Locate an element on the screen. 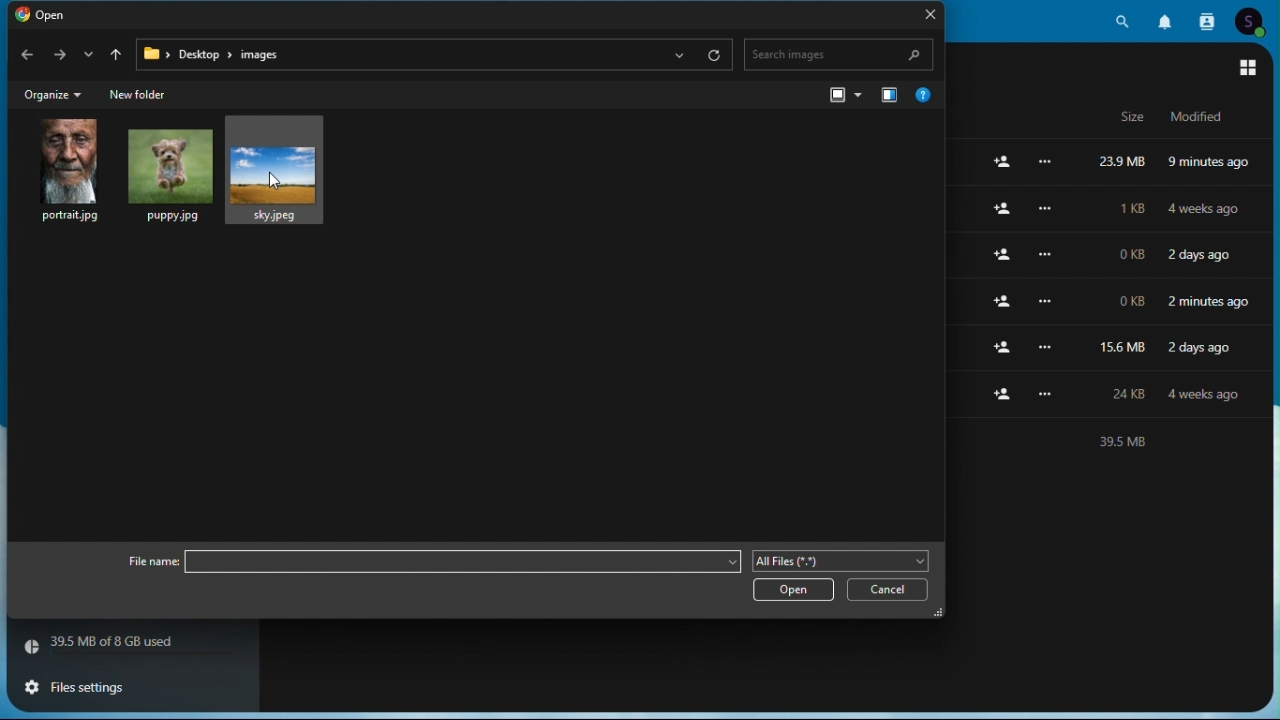   is located at coordinates (1249, 72).